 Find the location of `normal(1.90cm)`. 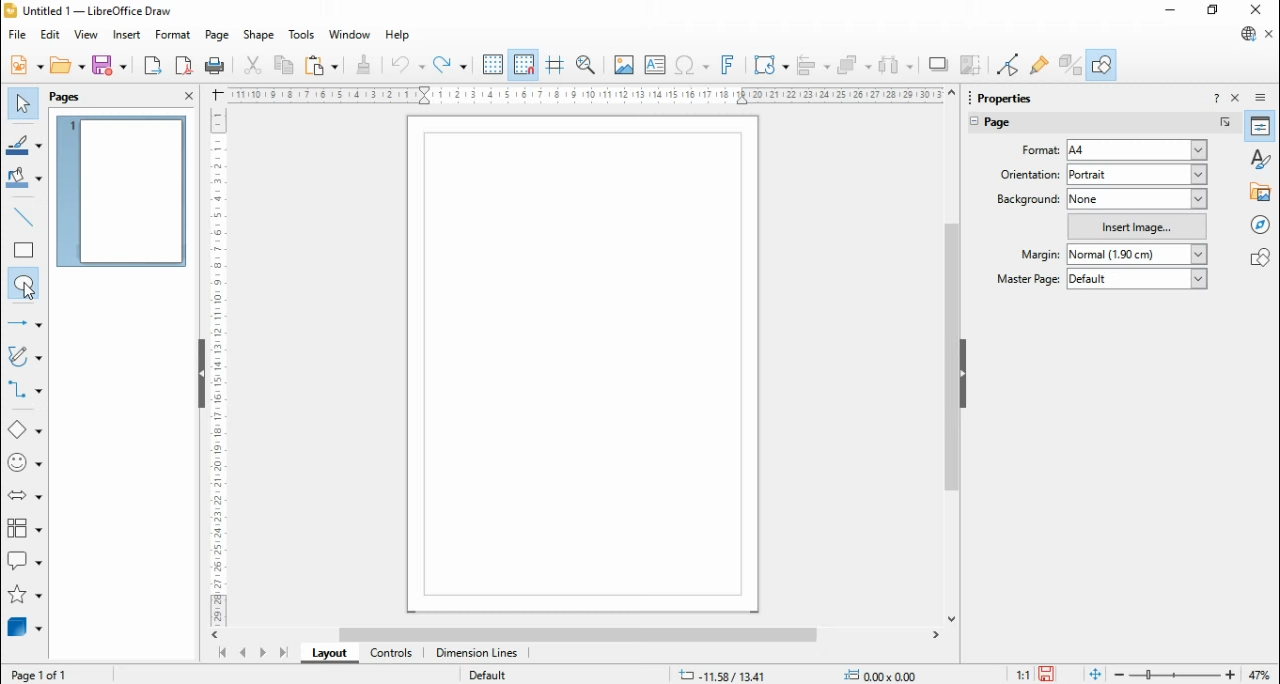

normal(1.90cm) is located at coordinates (1135, 254).